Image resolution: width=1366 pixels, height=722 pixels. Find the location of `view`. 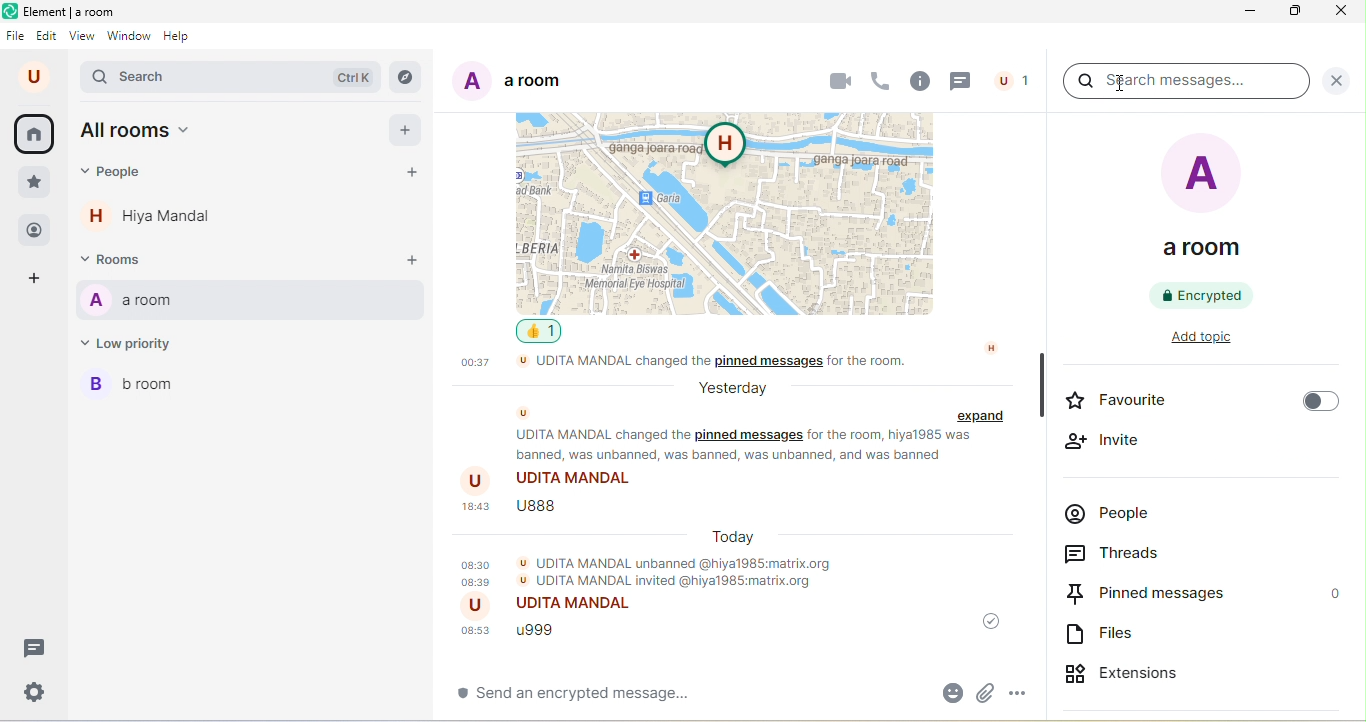

view is located at coordinates (82, 39).